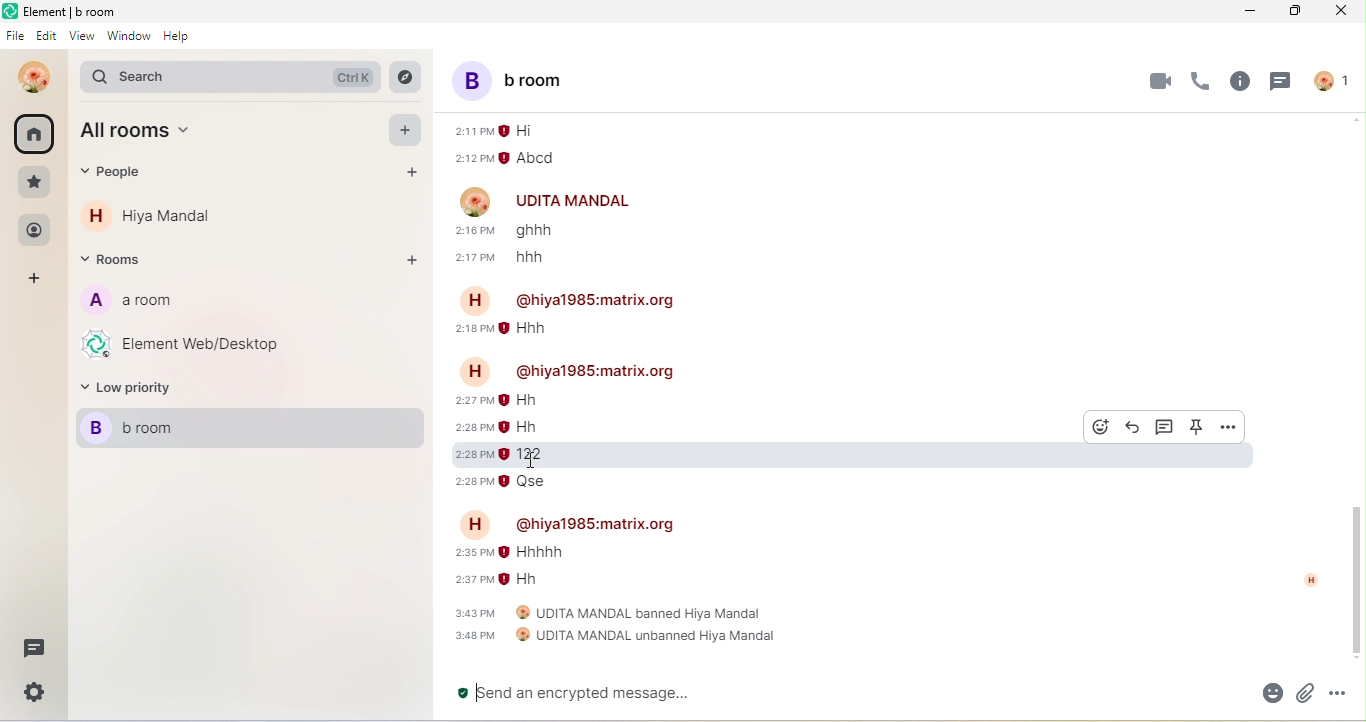 The height and width of the screenshot is (722, 1366). What do you see at coordinates (31, 697) in the screenshot?
I see `setting` at bounding box center [31, 697].